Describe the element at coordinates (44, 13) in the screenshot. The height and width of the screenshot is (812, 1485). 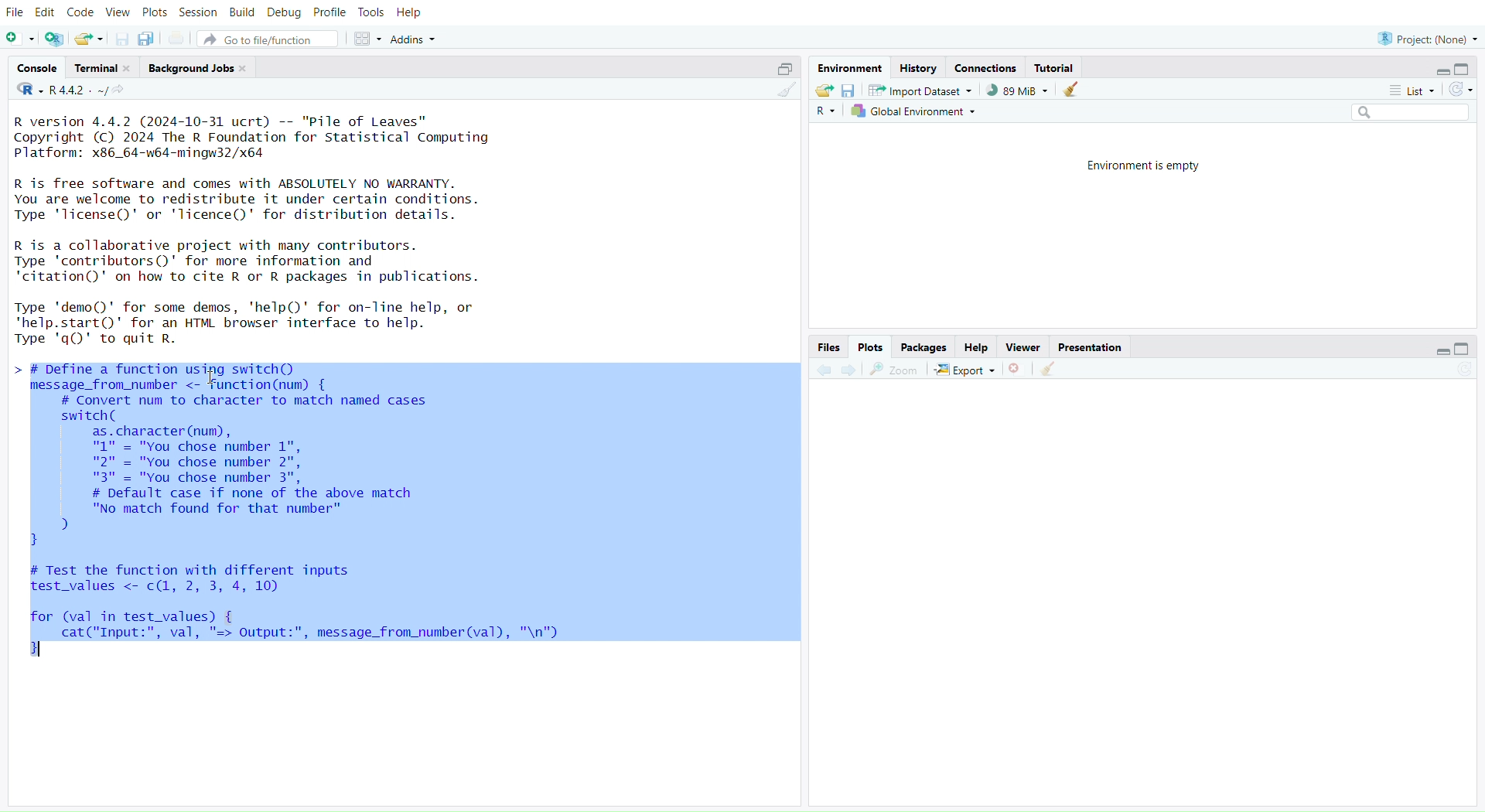
I see `Edit` at that location.